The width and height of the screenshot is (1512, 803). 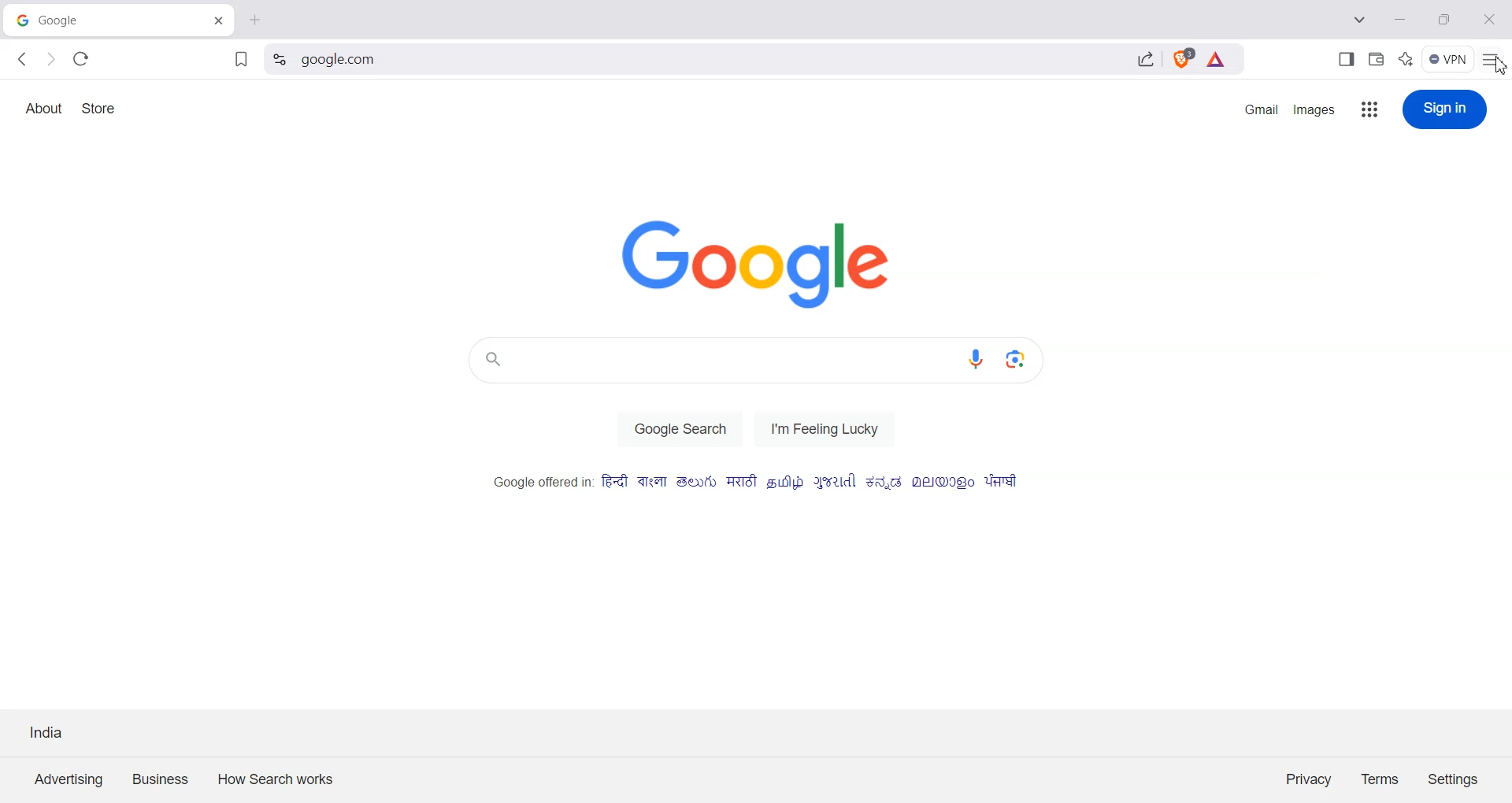 What do you see at coordinates (272, 776) in the screenshot?
I see `How search Works` at bounding box center [272, 776].